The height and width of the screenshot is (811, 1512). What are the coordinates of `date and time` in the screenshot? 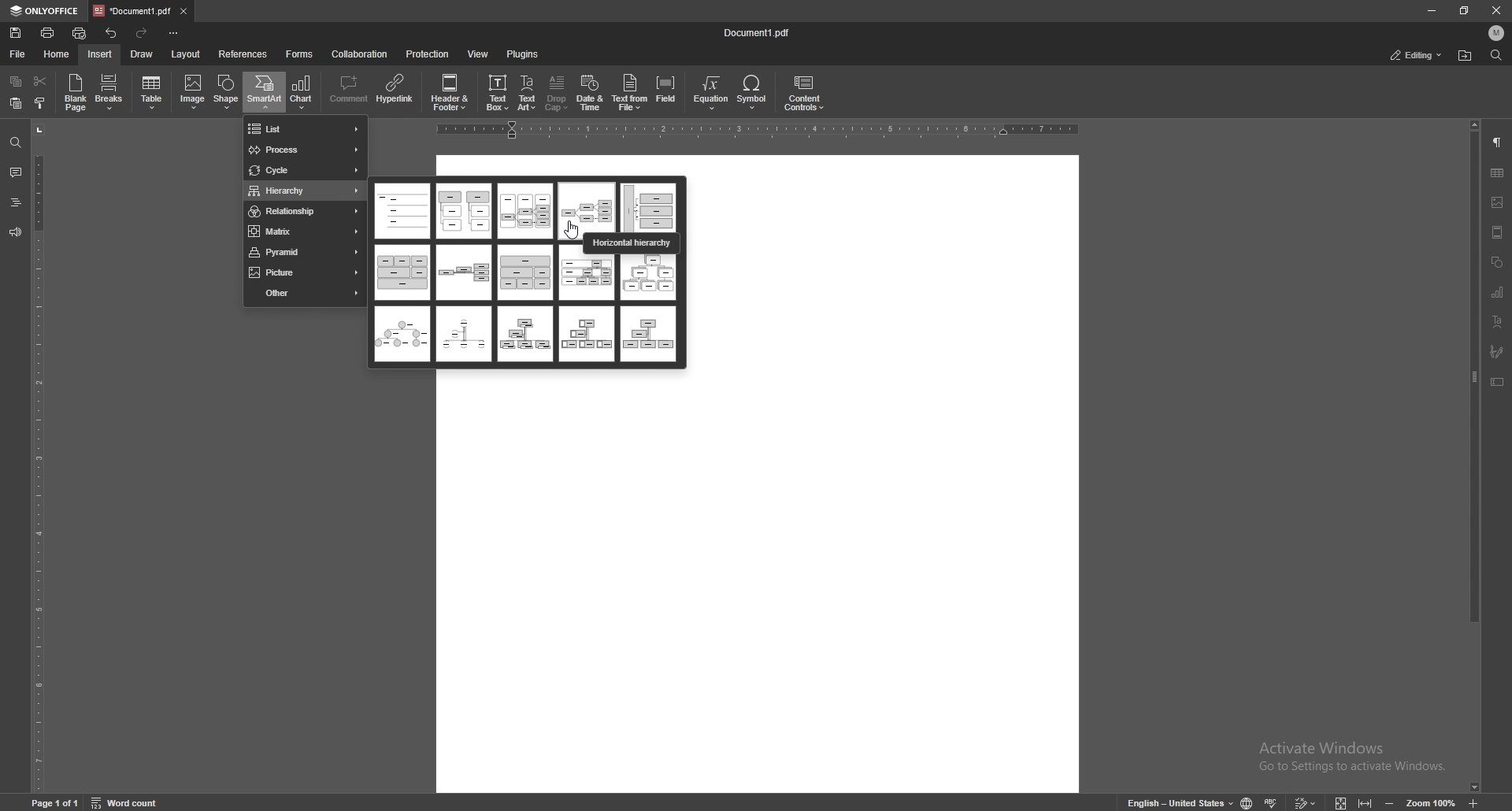 It's located at (591, 93).